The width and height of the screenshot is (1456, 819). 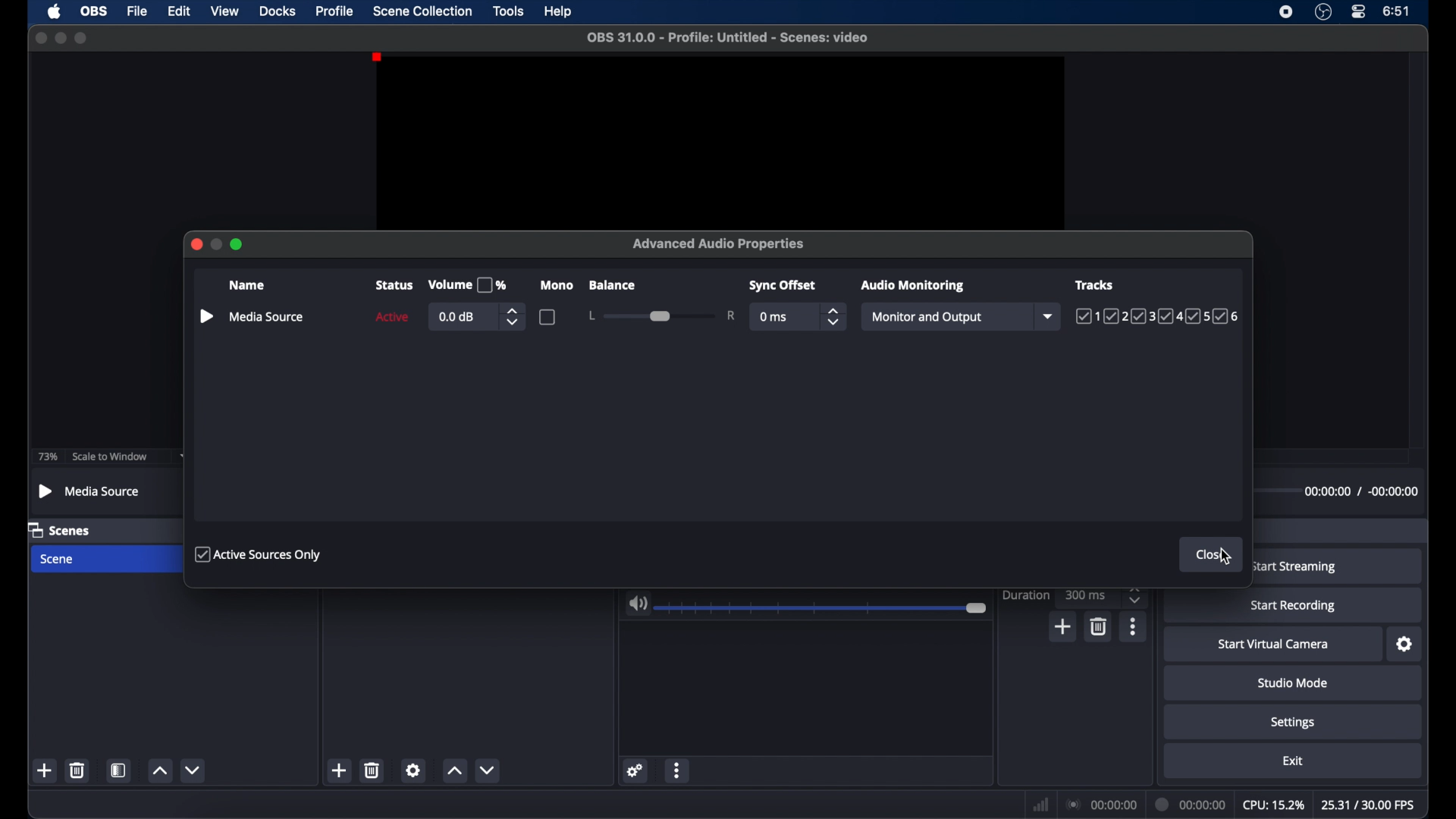 What do you see at coordinates (467, 285) in the screenshot?
I see `volume` at bounding box center [467, 285].